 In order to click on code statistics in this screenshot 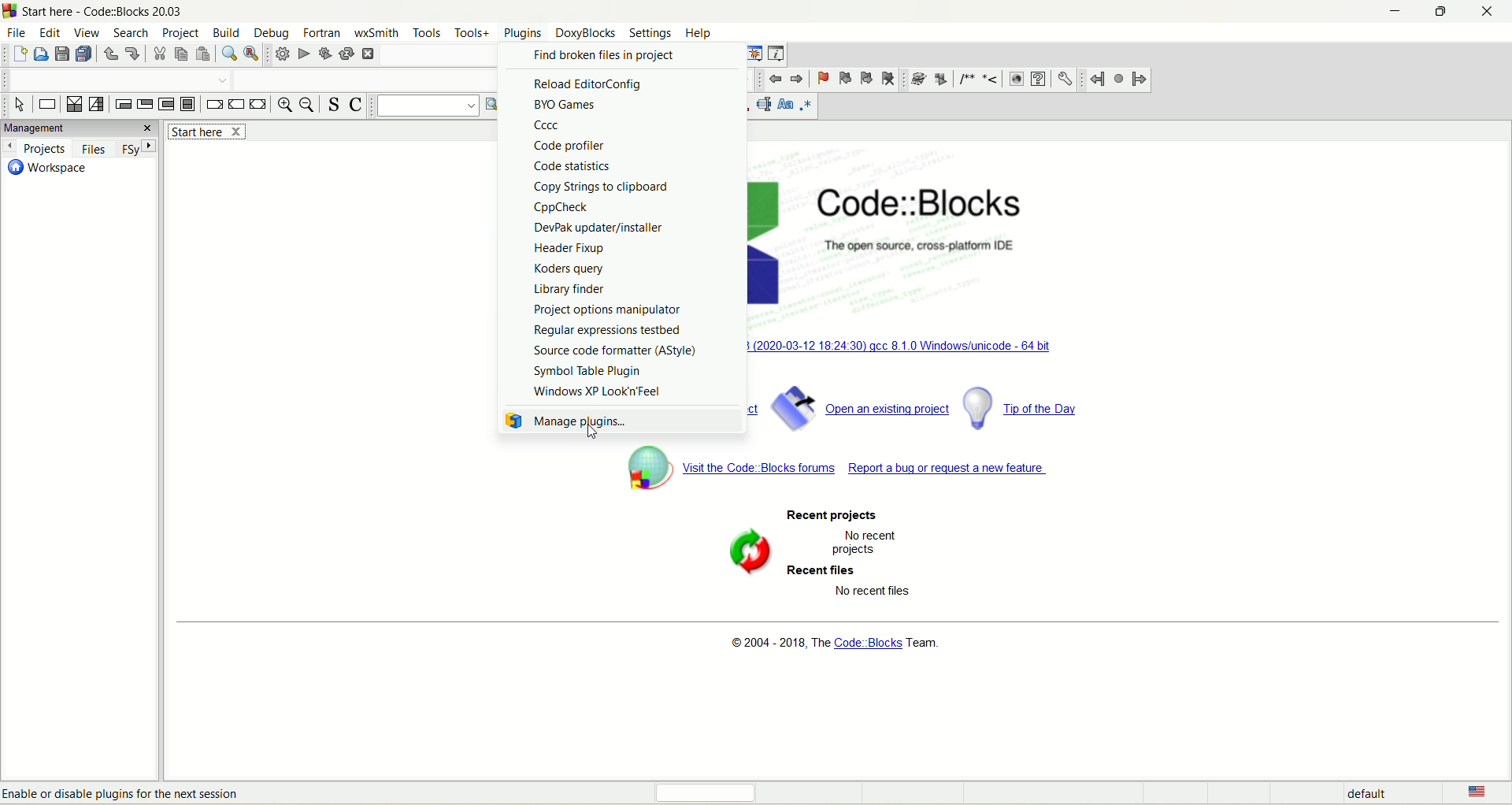, I will do `click(573, 165)`.